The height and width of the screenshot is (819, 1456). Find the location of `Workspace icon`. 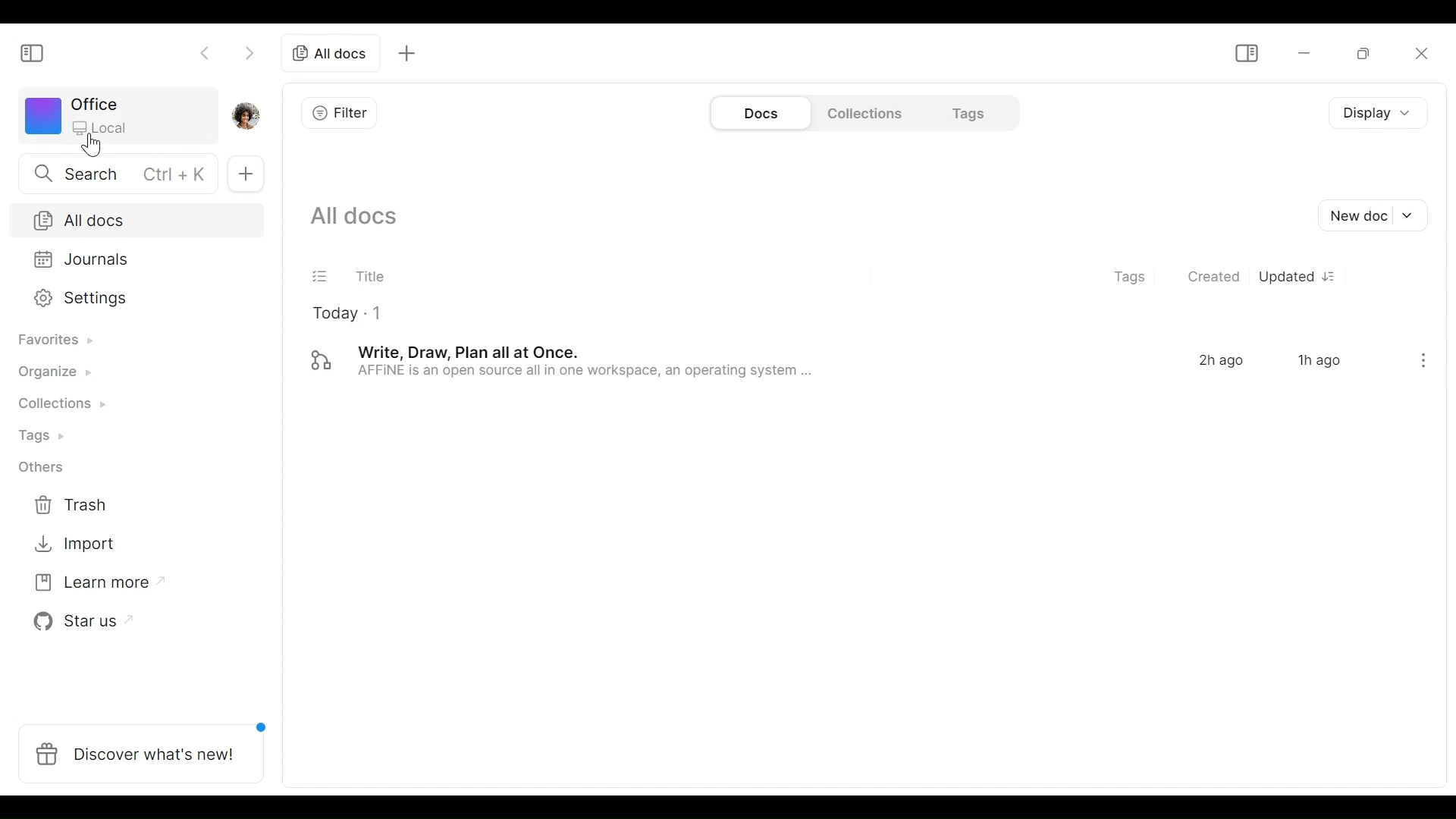

Workspace icon is located at coordinates (118, 118).